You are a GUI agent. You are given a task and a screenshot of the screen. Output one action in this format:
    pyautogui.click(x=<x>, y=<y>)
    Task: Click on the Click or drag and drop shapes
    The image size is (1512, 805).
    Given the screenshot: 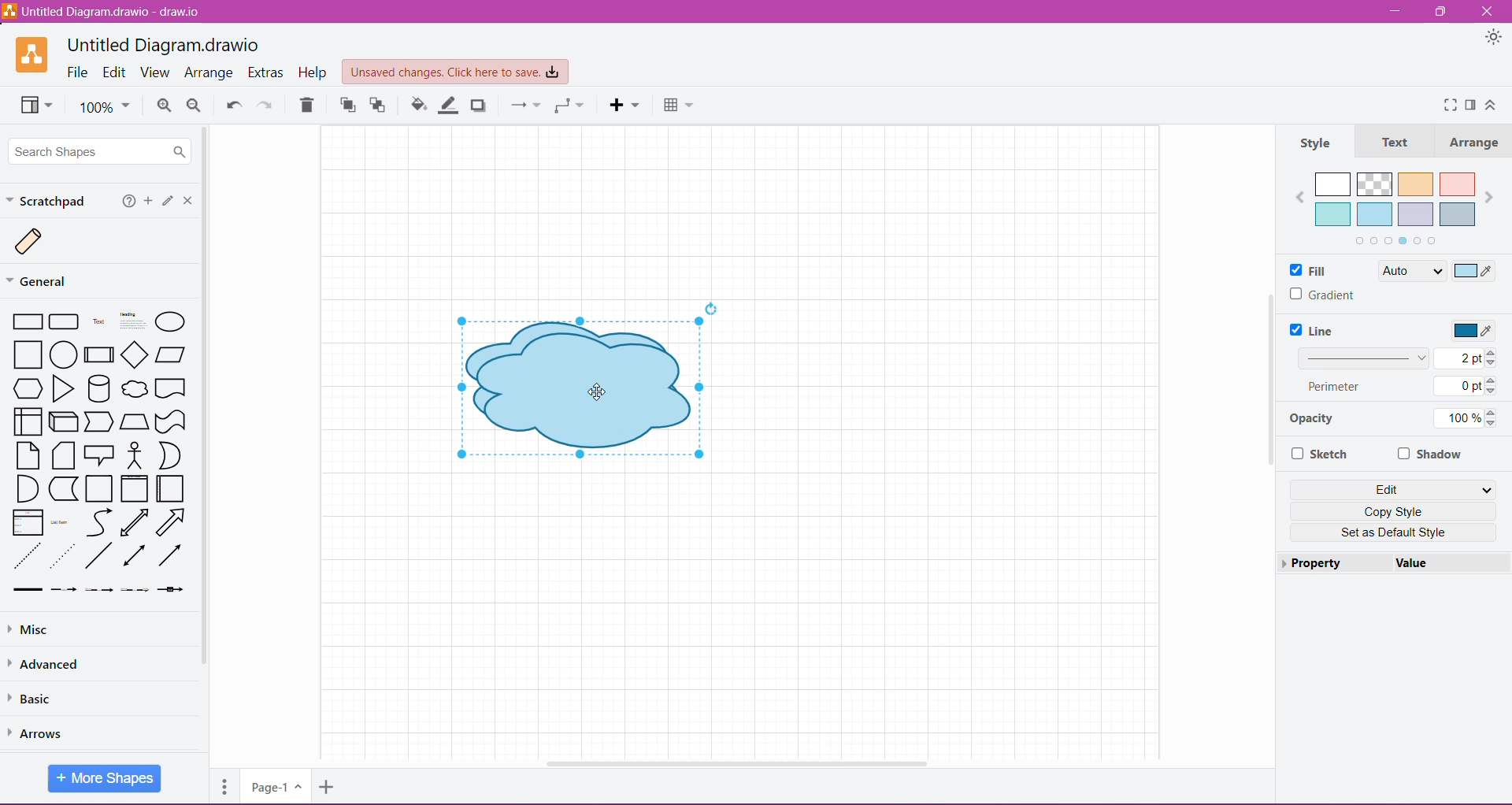 What is the action you would take?
    pyautogui.click(x=169, y=202)
    